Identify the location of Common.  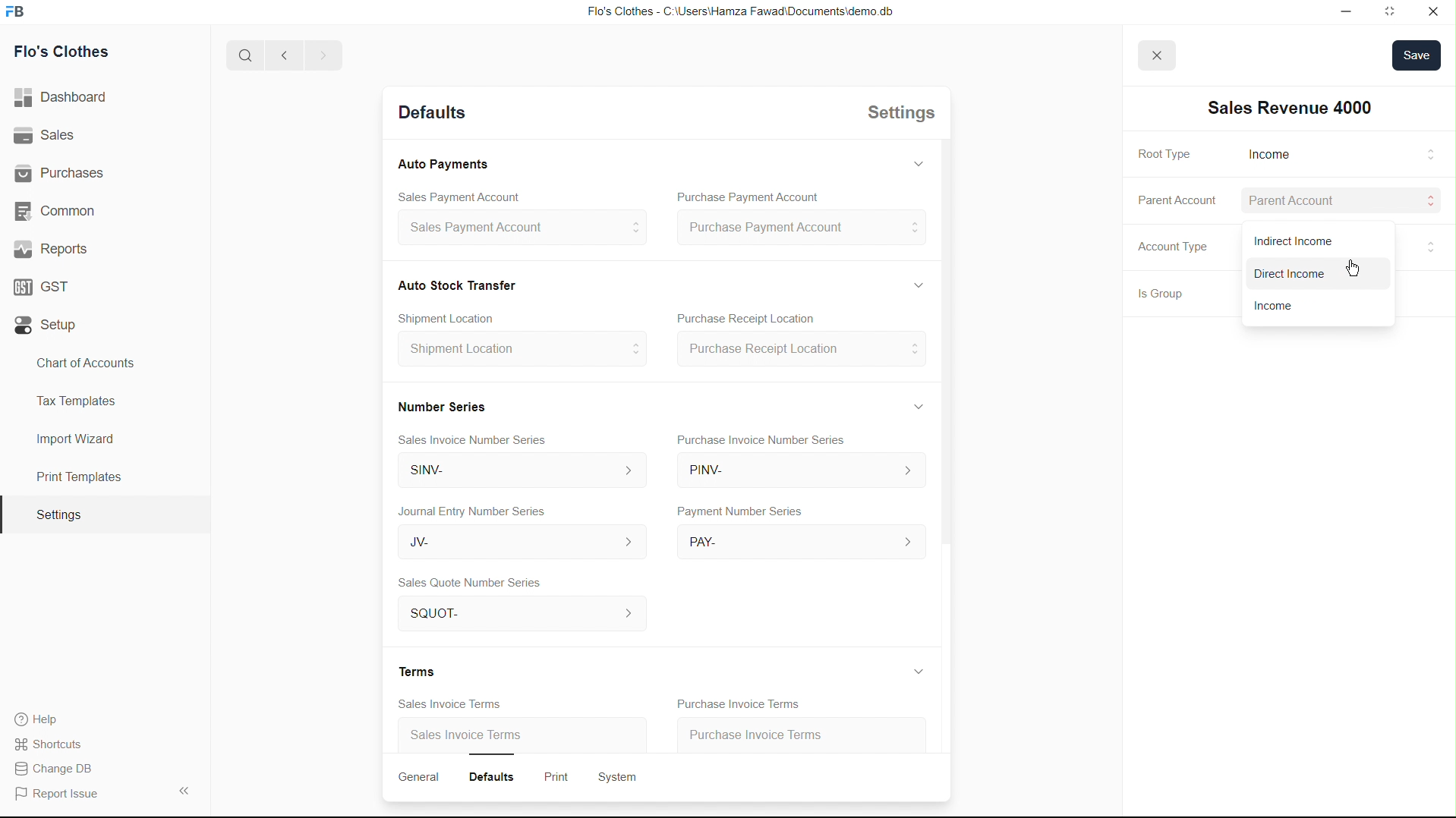
(58, 209).